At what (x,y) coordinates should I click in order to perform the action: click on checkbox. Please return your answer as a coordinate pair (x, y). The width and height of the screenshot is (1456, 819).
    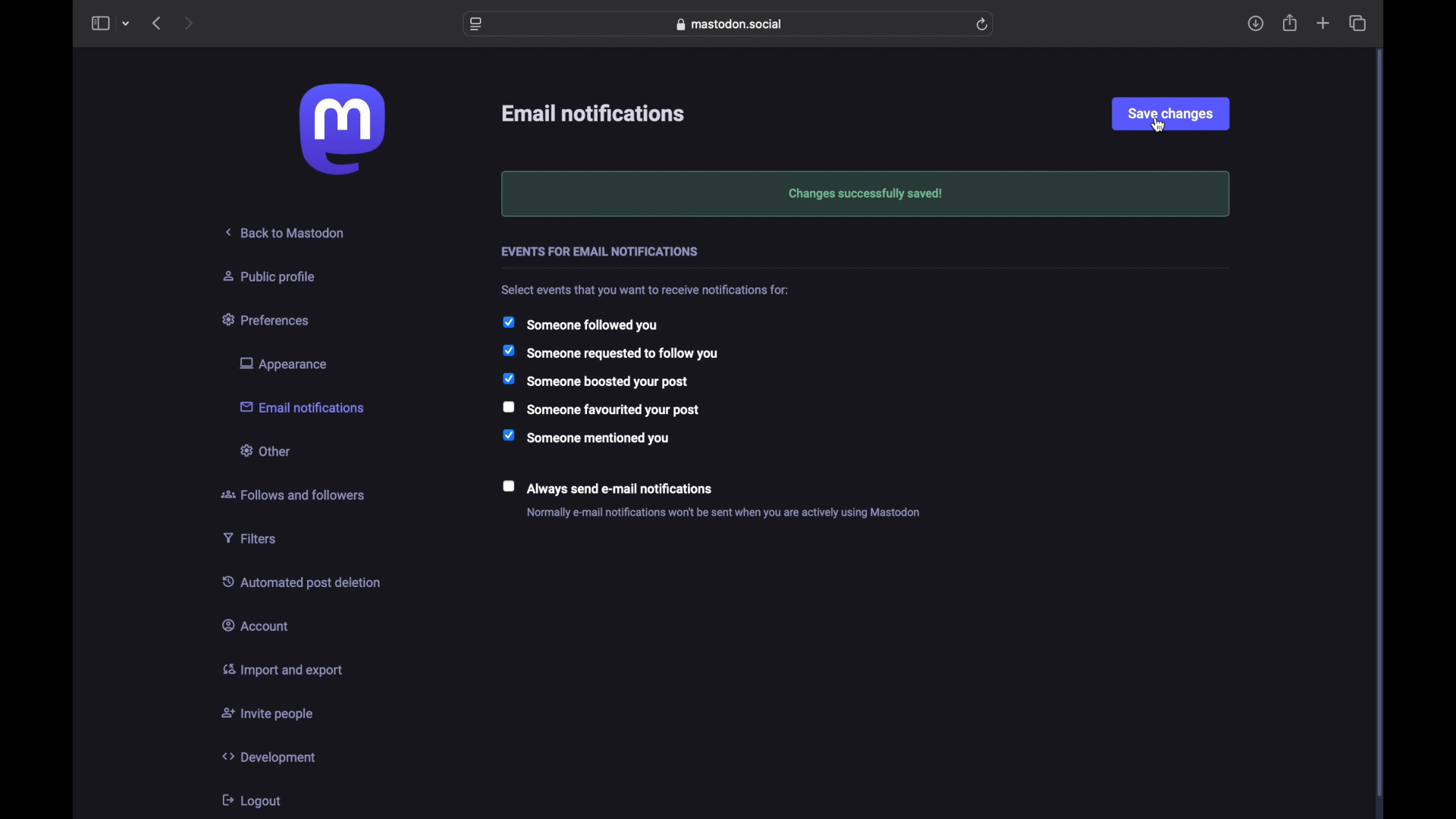
    Looking at the image, I should click on (579, 324).